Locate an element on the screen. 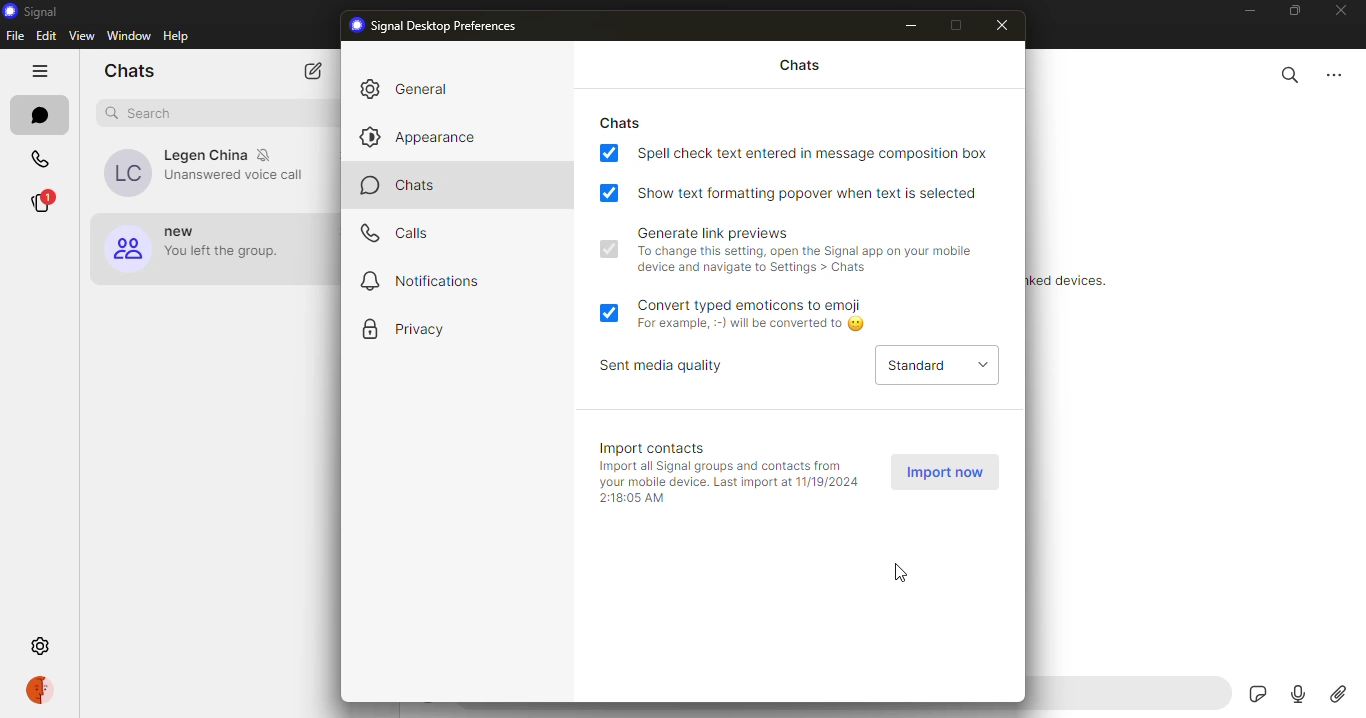 The height and width of the screenshot is (718, 1366). attach is located at coordinates (1339, 695).